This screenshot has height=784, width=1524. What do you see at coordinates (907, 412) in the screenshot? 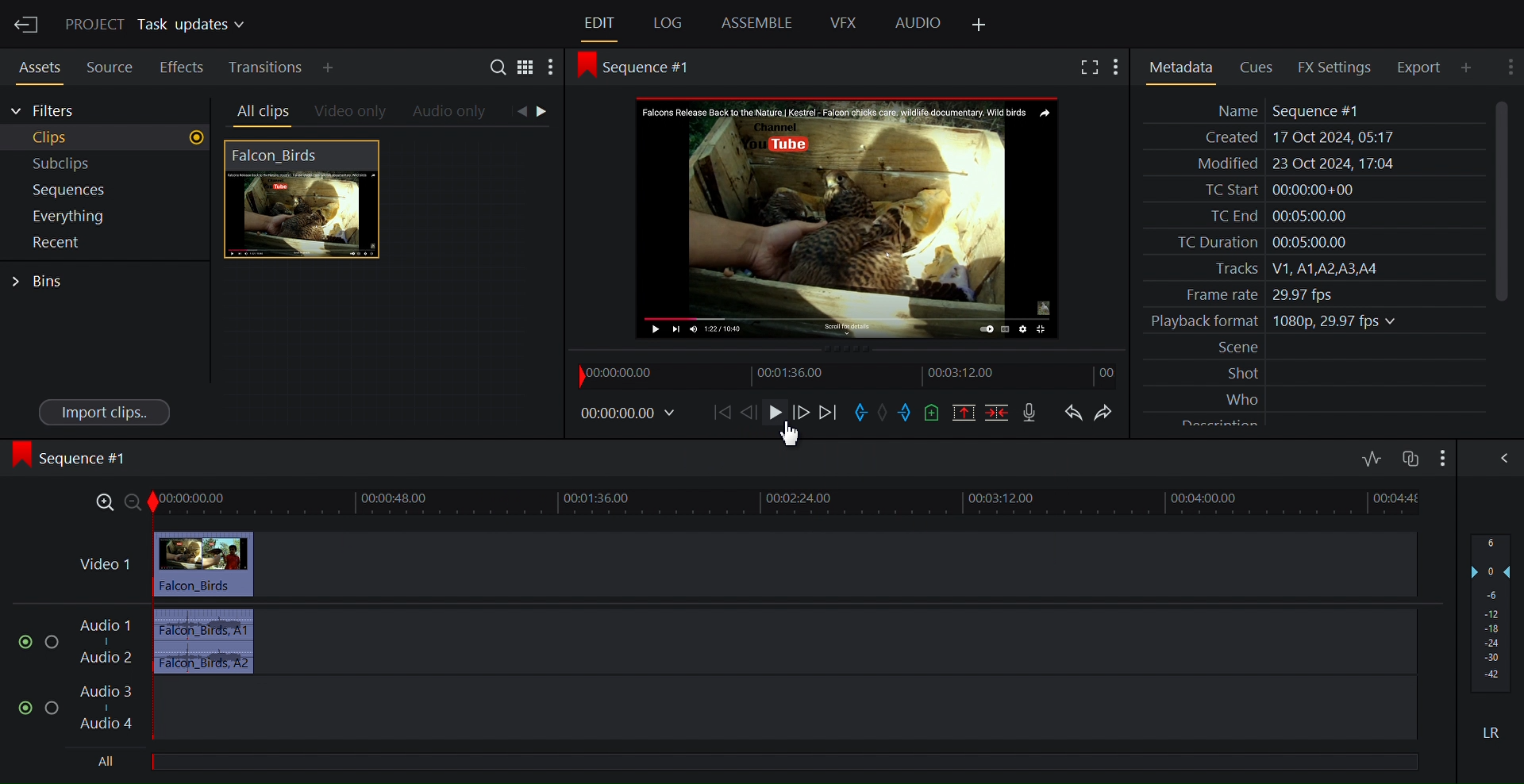
I see `Mark out` at bounding box center [907, 412].